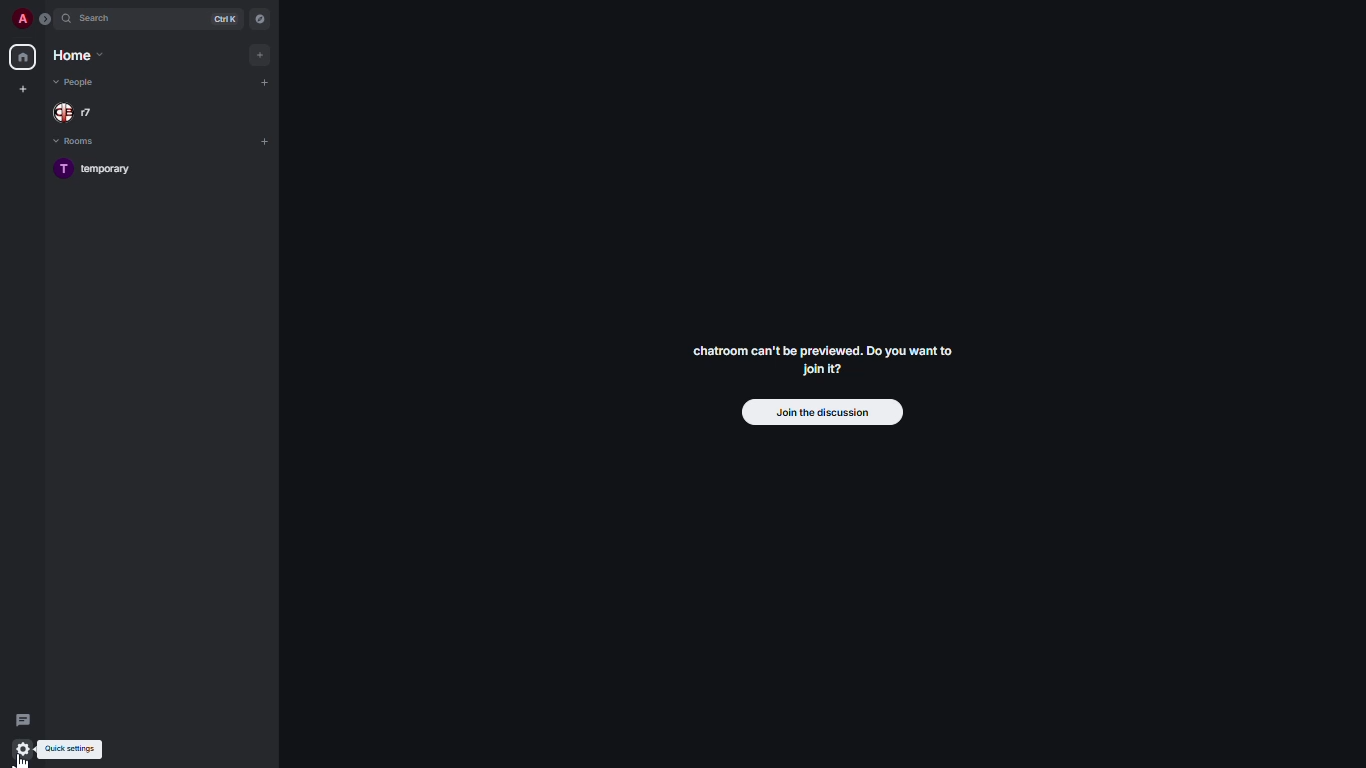 The width and height of the screenshot is (1366, 768). Describe the element at coordinates (24, 18) in the screenshot. I see `profile` at that location.